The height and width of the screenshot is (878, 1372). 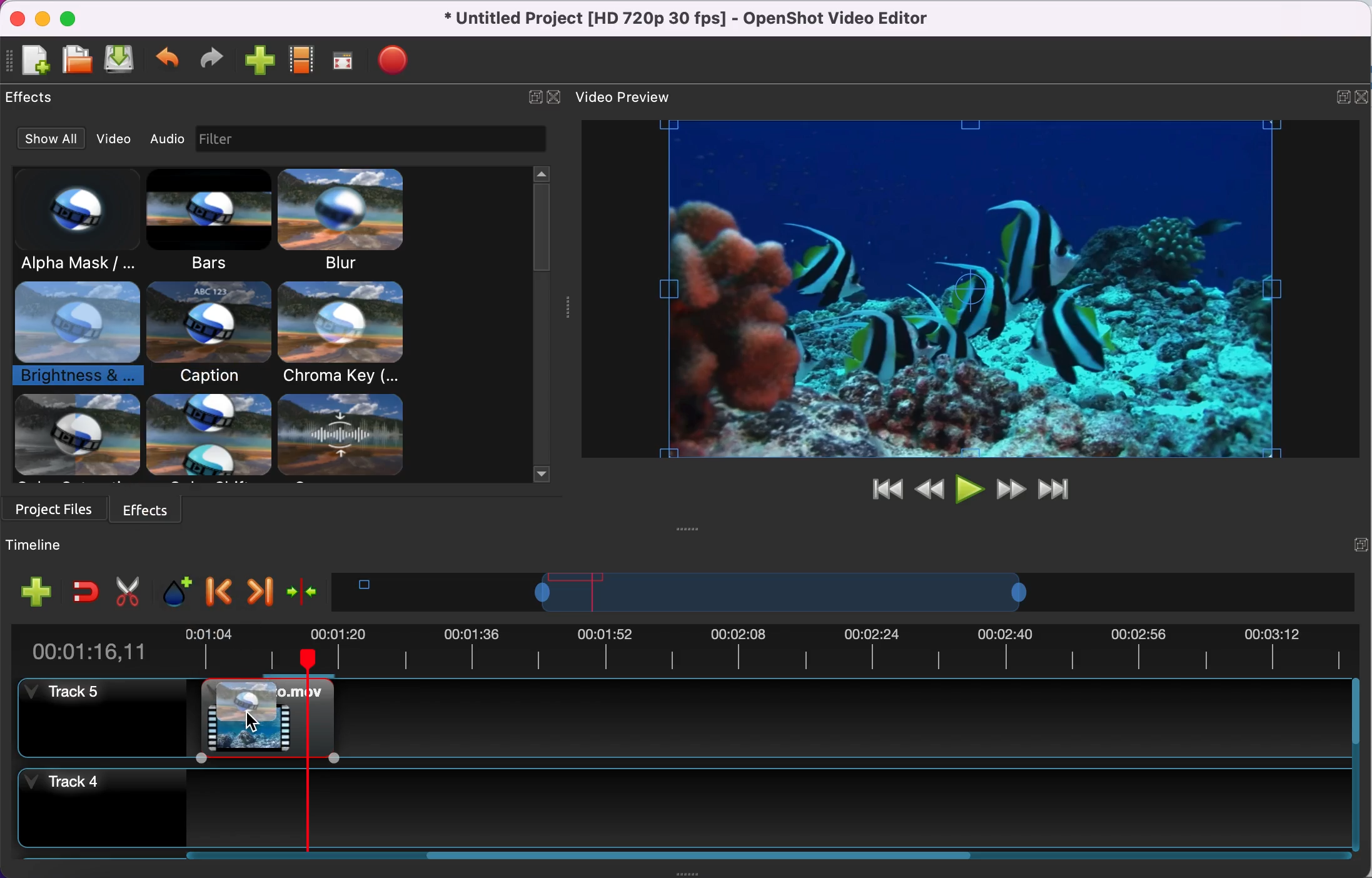 I want to click on close, so click(x=20, y=17).